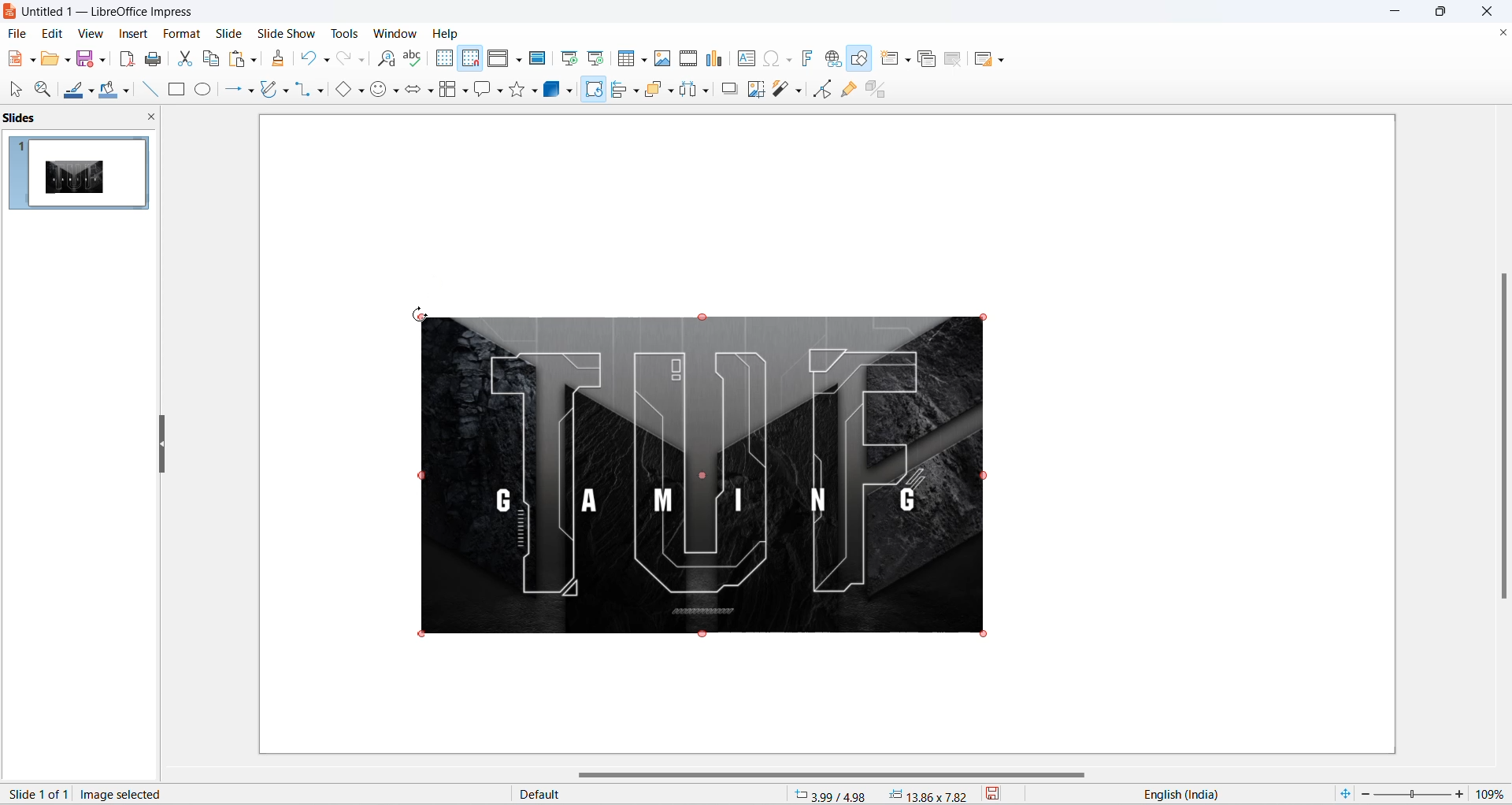  I want to click on slide show, so click(289, 32).